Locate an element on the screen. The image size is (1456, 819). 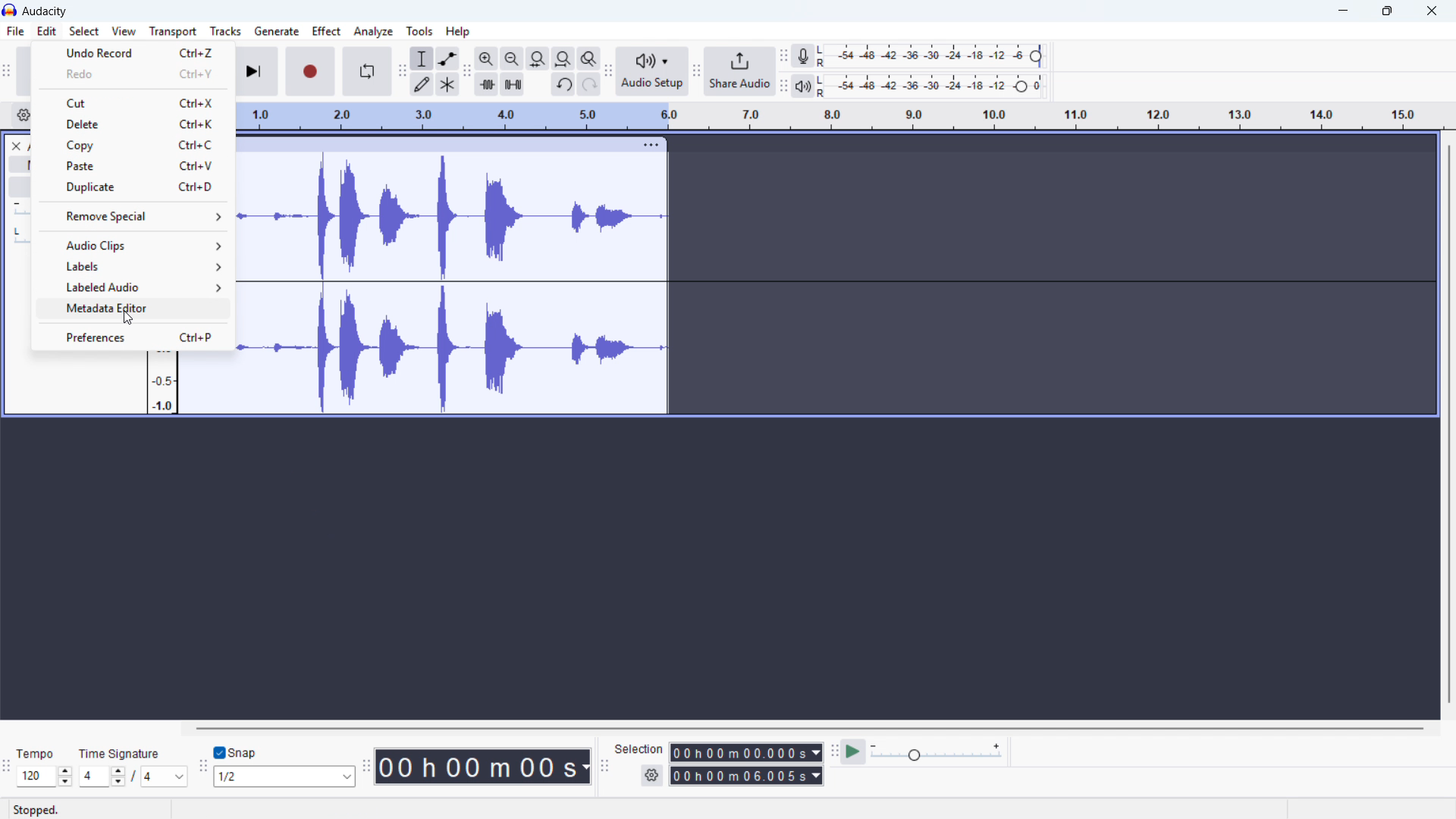
track options is located at coordinates (652, 145).